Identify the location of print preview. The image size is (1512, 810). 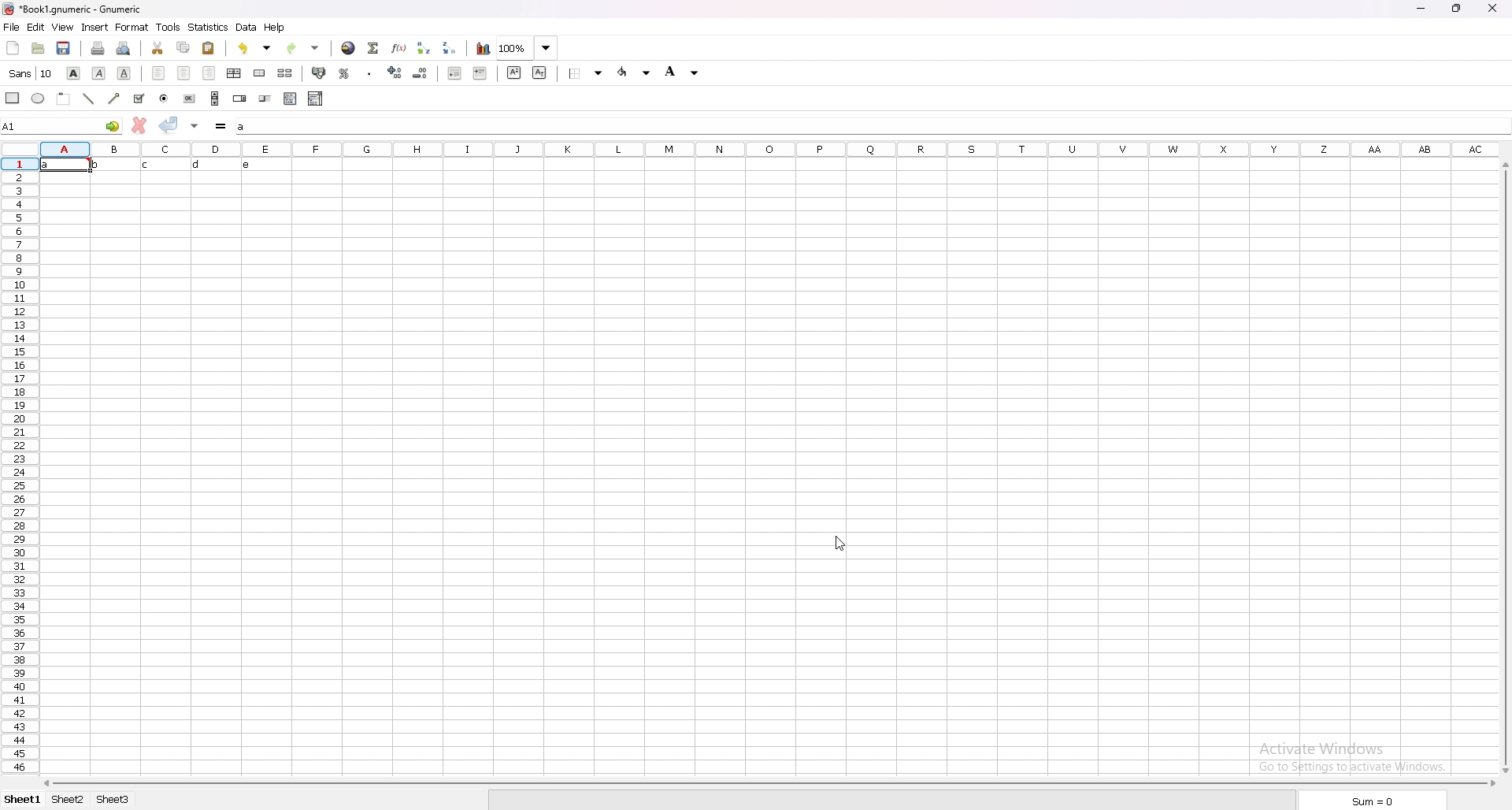
(123, 48).